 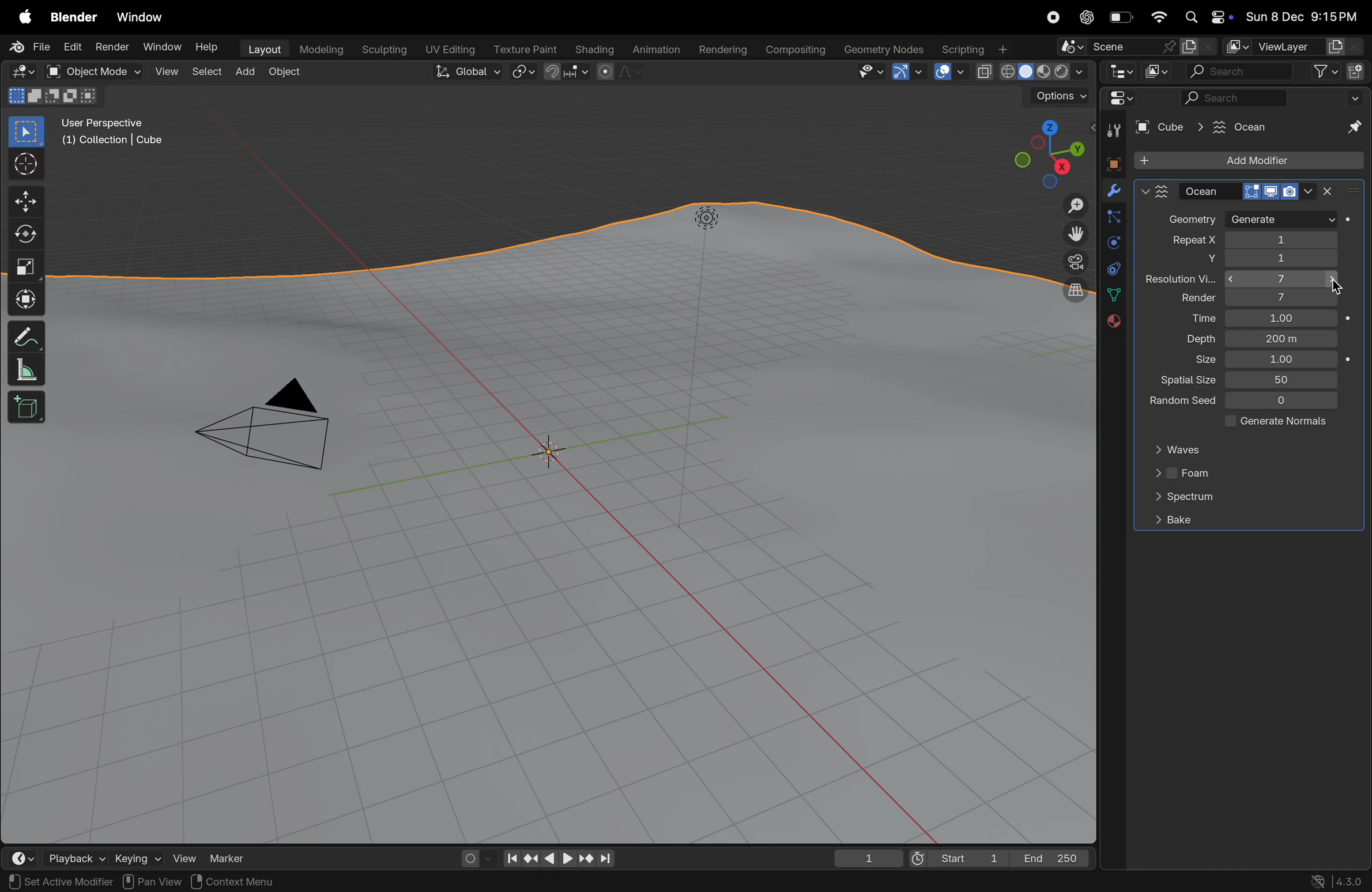 I want to click on view layer, so click(x=1291, y=47).